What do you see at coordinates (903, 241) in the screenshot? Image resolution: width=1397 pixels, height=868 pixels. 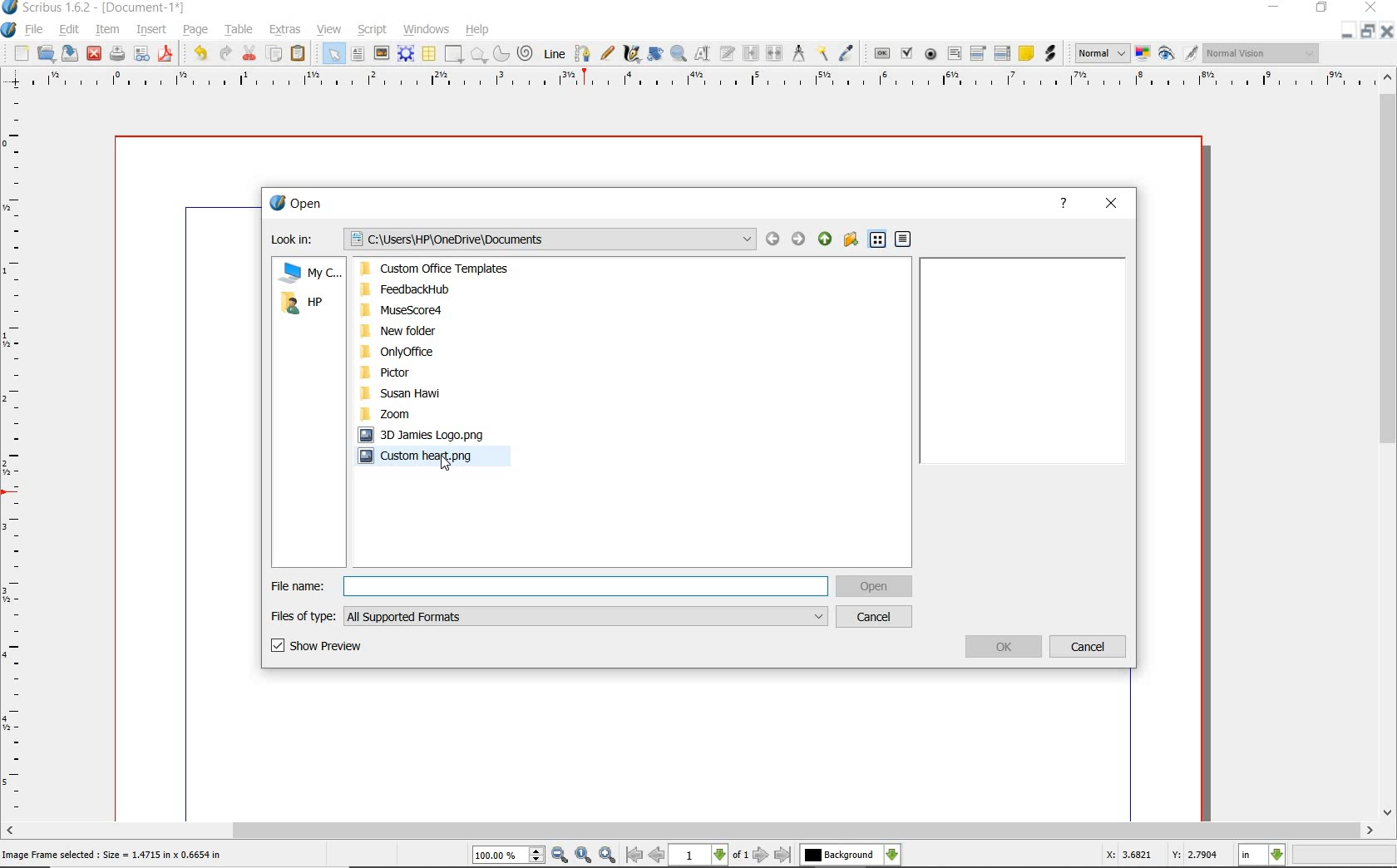 I see `detail view` at bounding box center [903, 241].